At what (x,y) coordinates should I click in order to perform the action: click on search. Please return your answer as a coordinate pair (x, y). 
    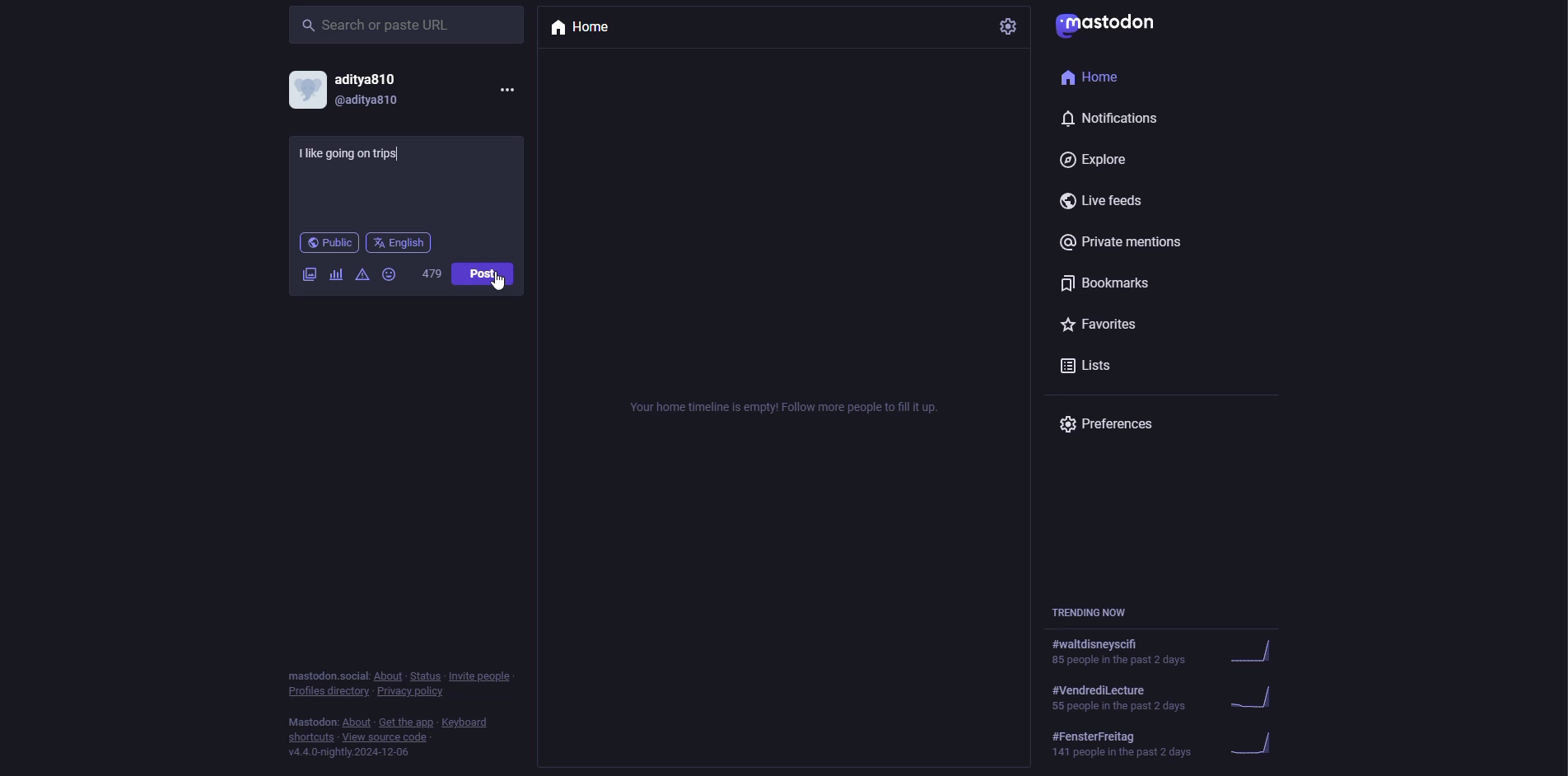
    Looking at the image, I should click on (380, 26).